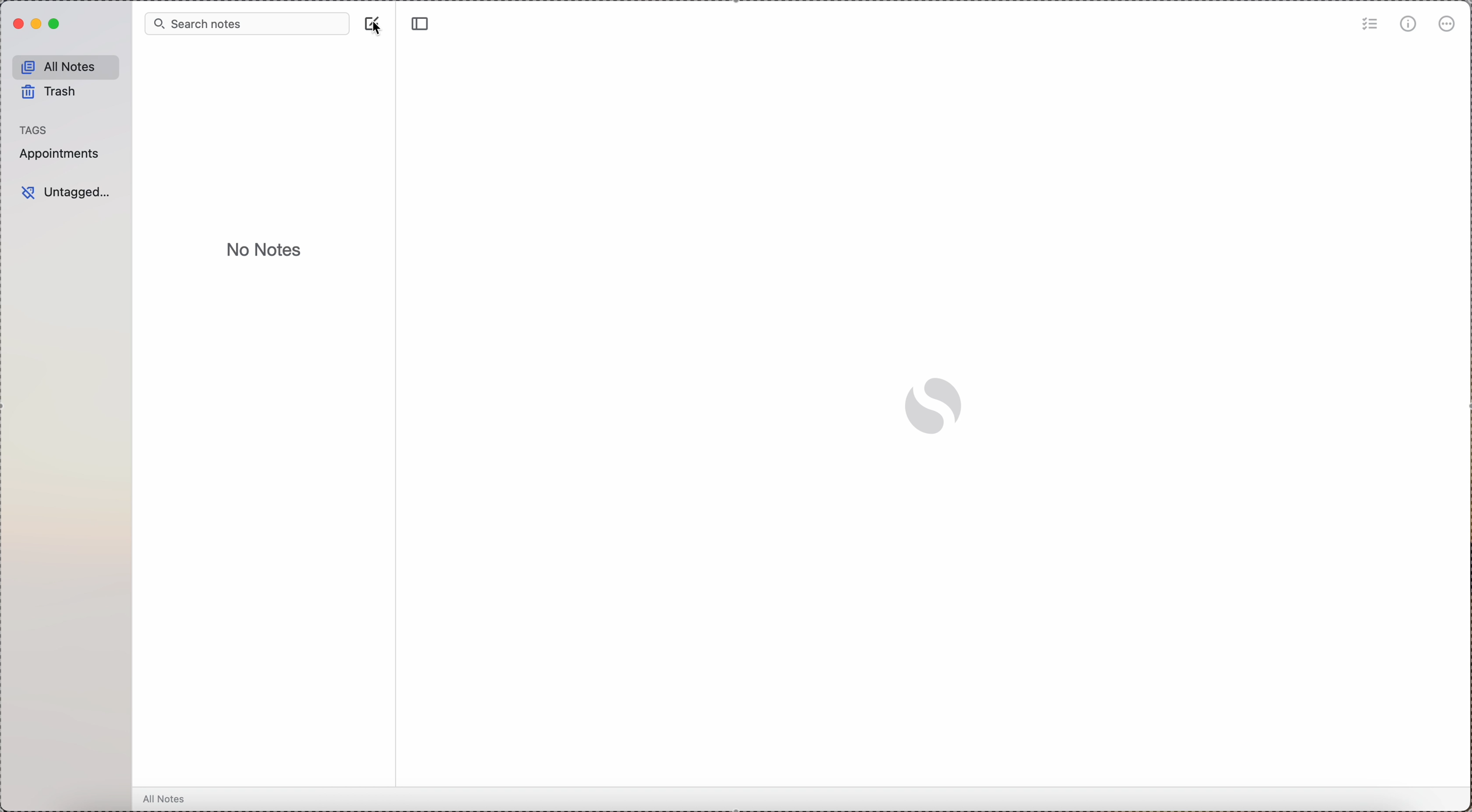 The image size is (1472, 812). What do you see at coordinates (369, 19) in the screenshot?
I see `create note` at bounding box center [369, 19].